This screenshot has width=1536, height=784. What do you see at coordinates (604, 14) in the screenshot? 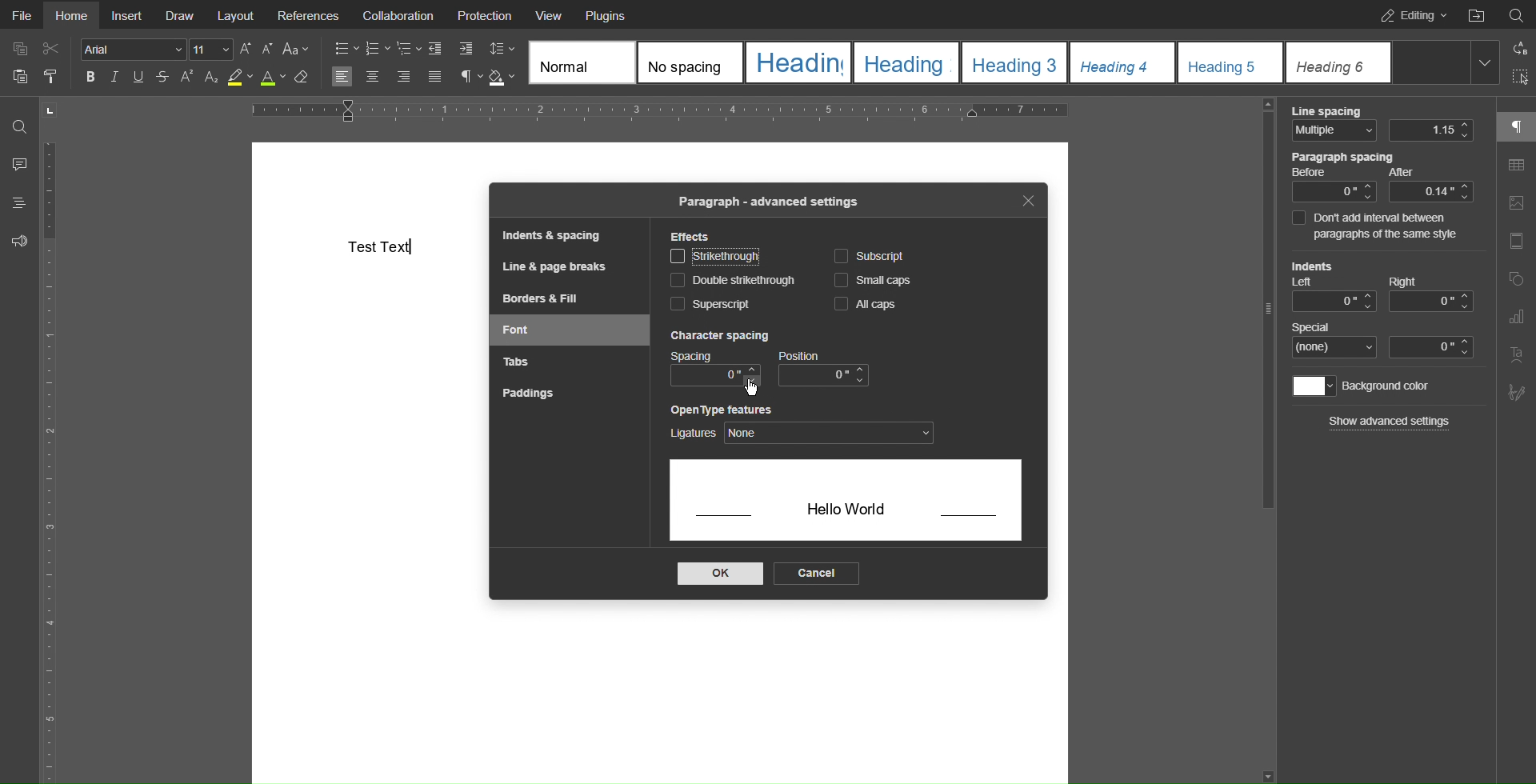
I see `Plugins` at bounding box center [604, 14].